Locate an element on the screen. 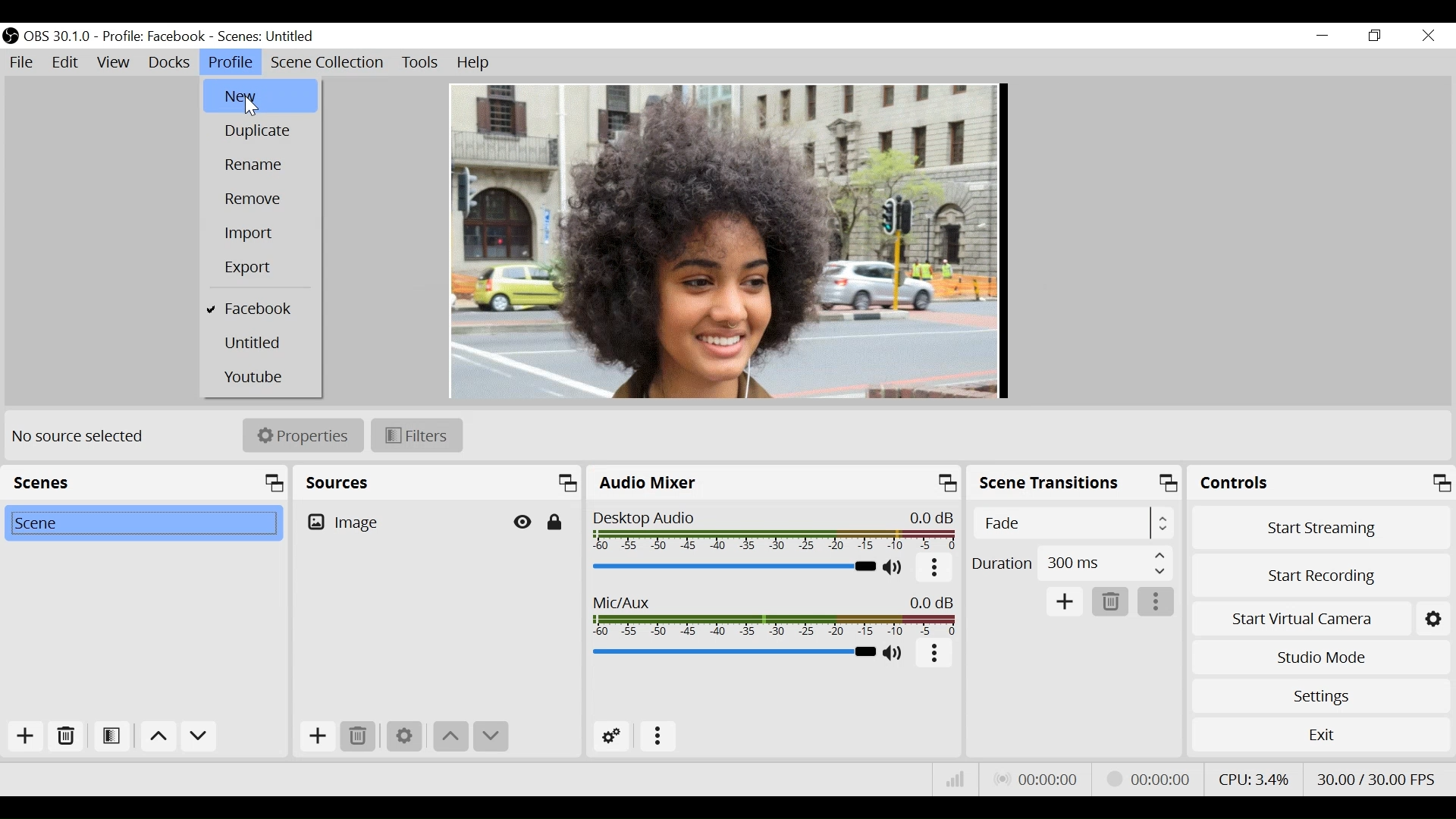 The height and width of the screenshot is (819, 1456). File is located at coordinates (24, 63).